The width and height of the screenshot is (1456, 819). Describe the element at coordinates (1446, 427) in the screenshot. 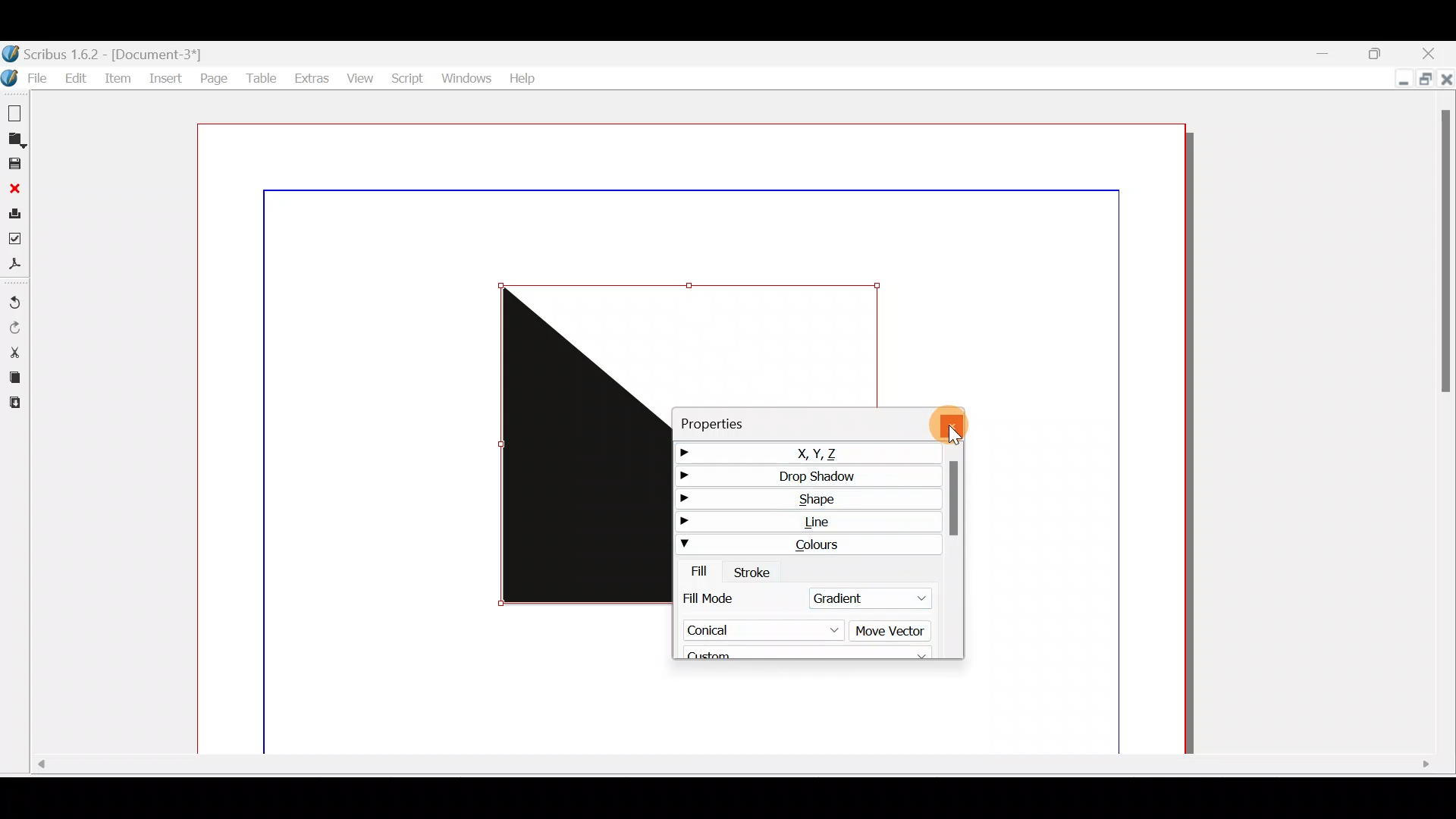

I see `Scroll bar` at that location.